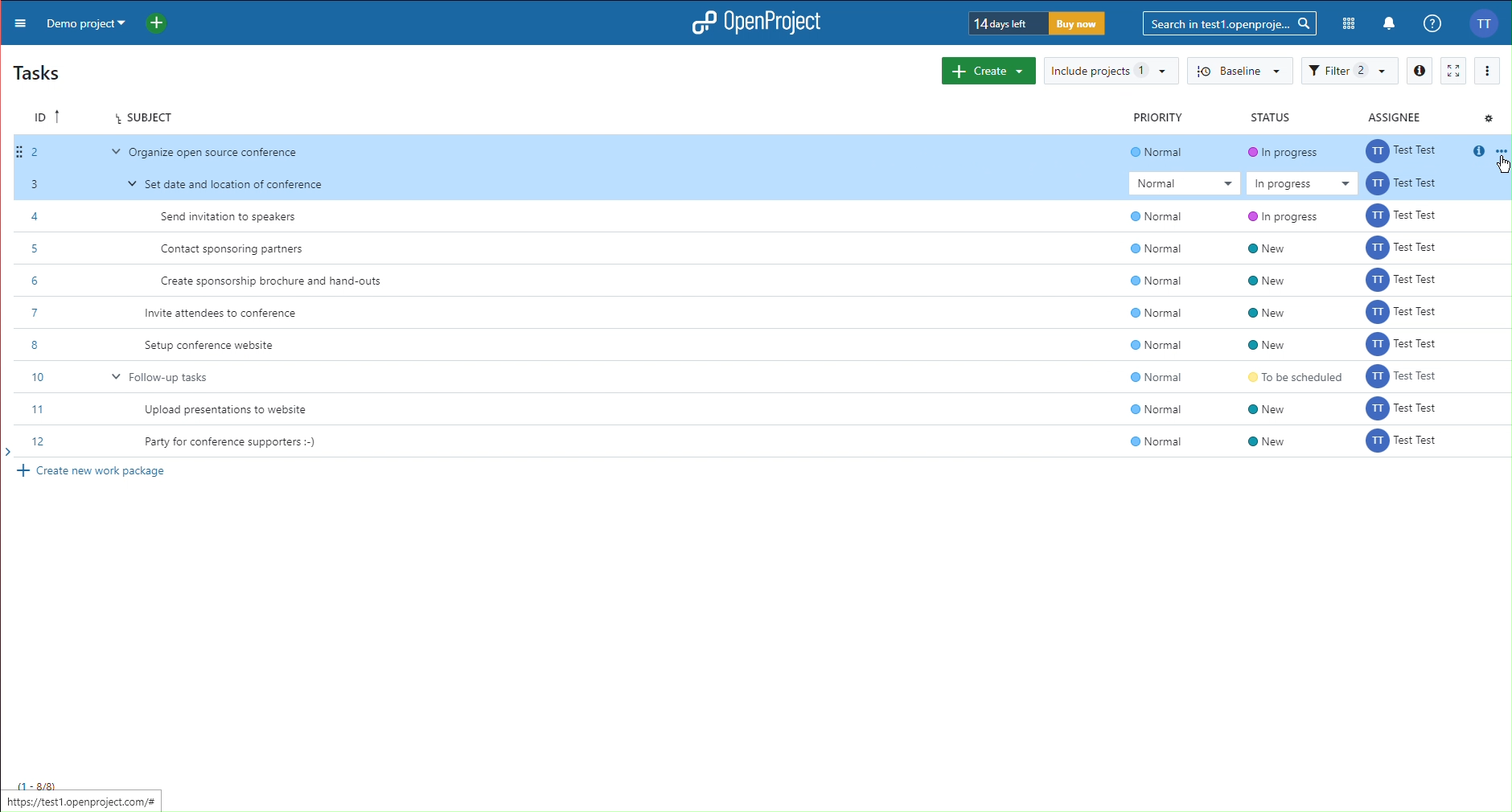 The width and height of the screenshot is (1512, 812). What do you see at coordinates (210, 346) in the screenshot?
I see `Setup conference website` at bounding box center [210, 346].